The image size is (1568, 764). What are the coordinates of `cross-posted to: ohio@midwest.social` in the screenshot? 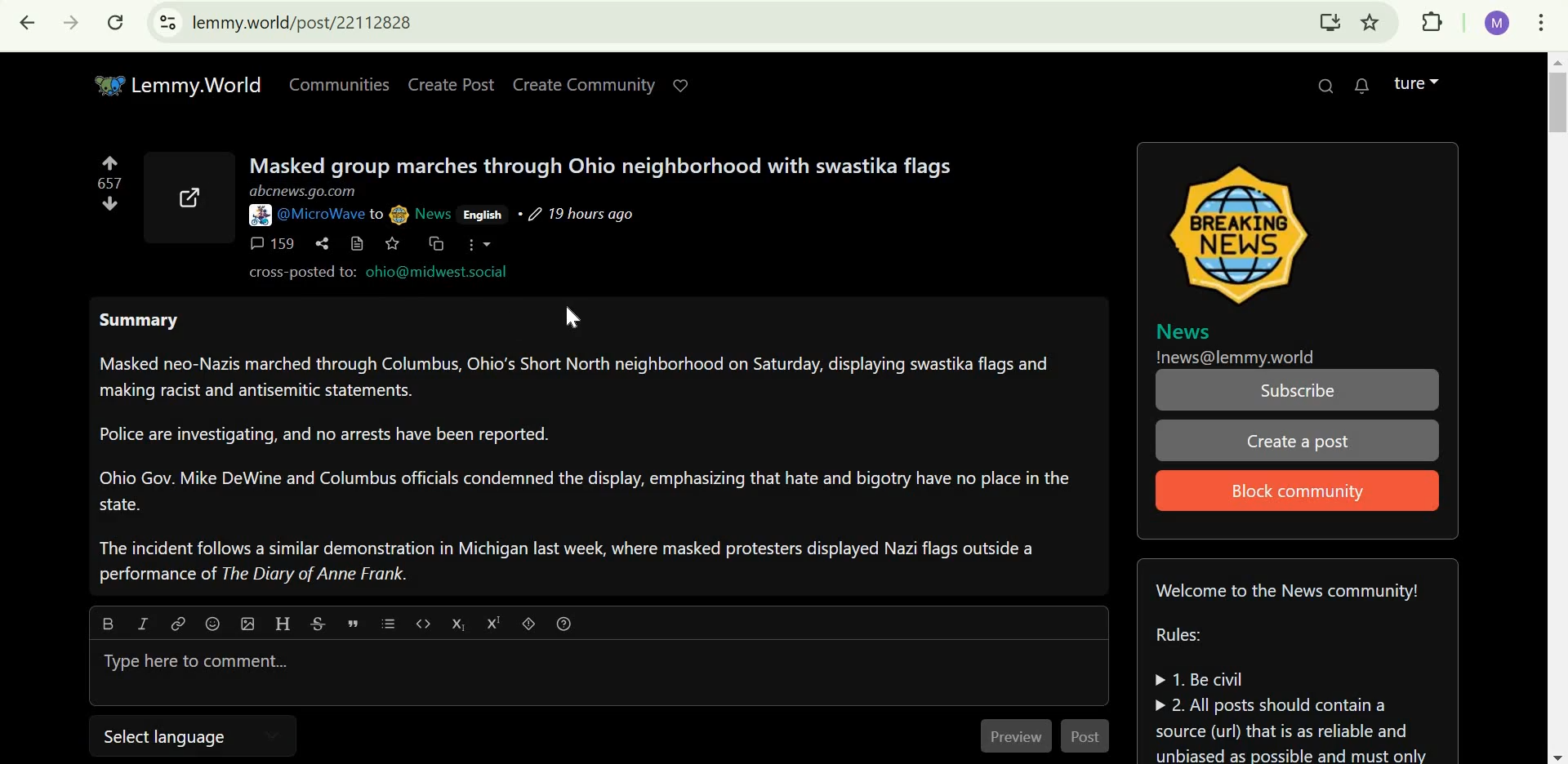 It's located at (371, 273).